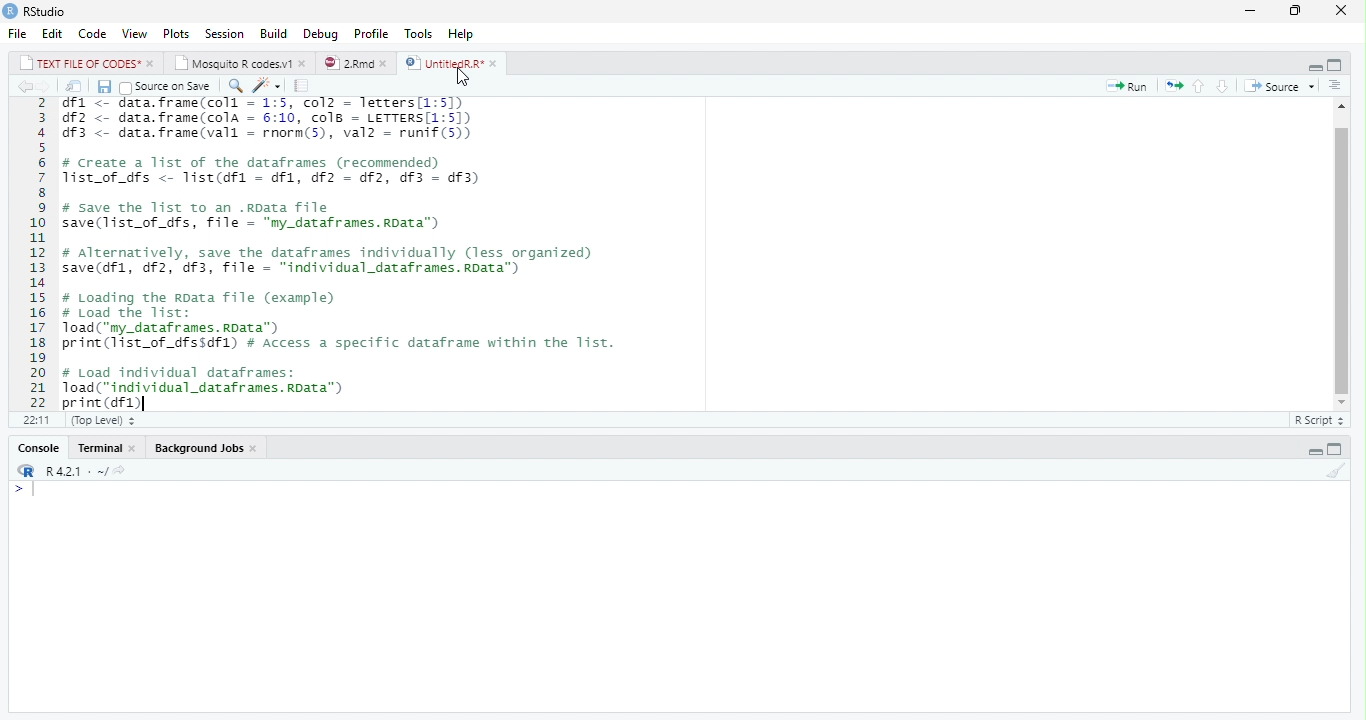  Describe the element at coordinates (33, 420) in the screenshot. I see `1:1` at that location.